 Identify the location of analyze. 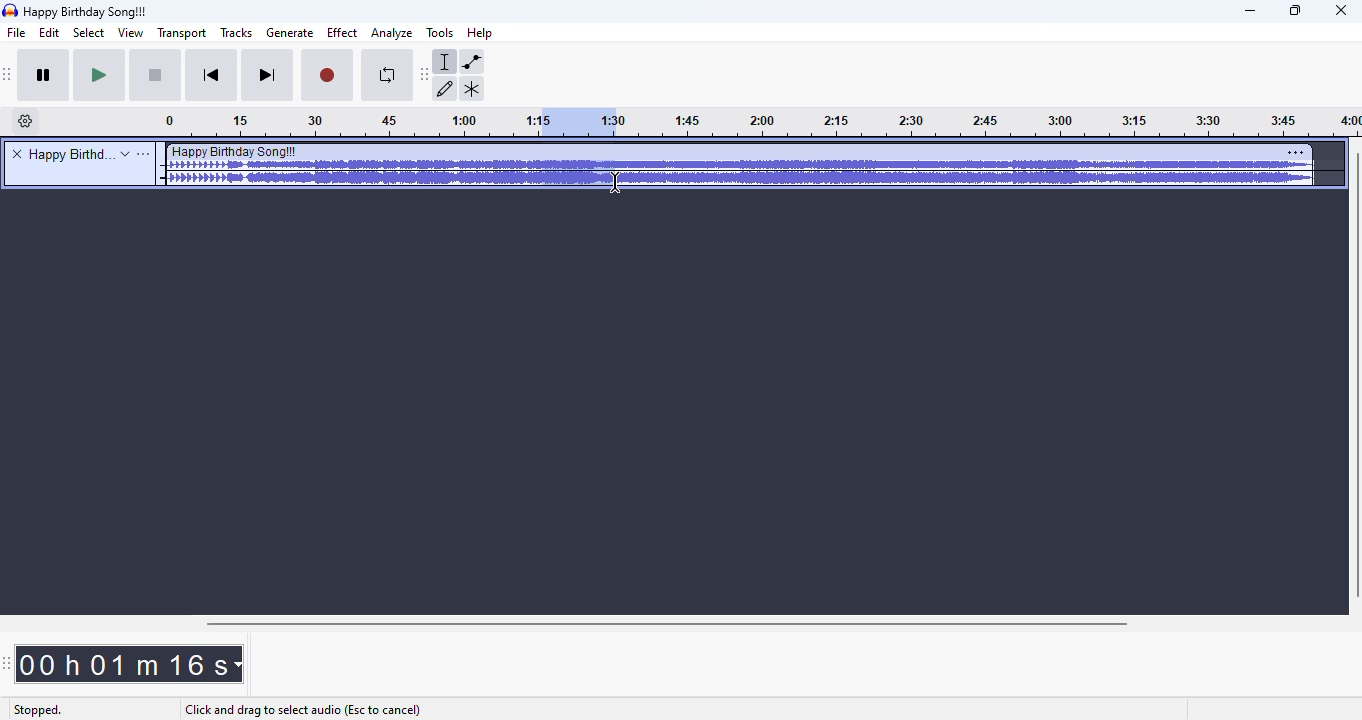
(392, 34).